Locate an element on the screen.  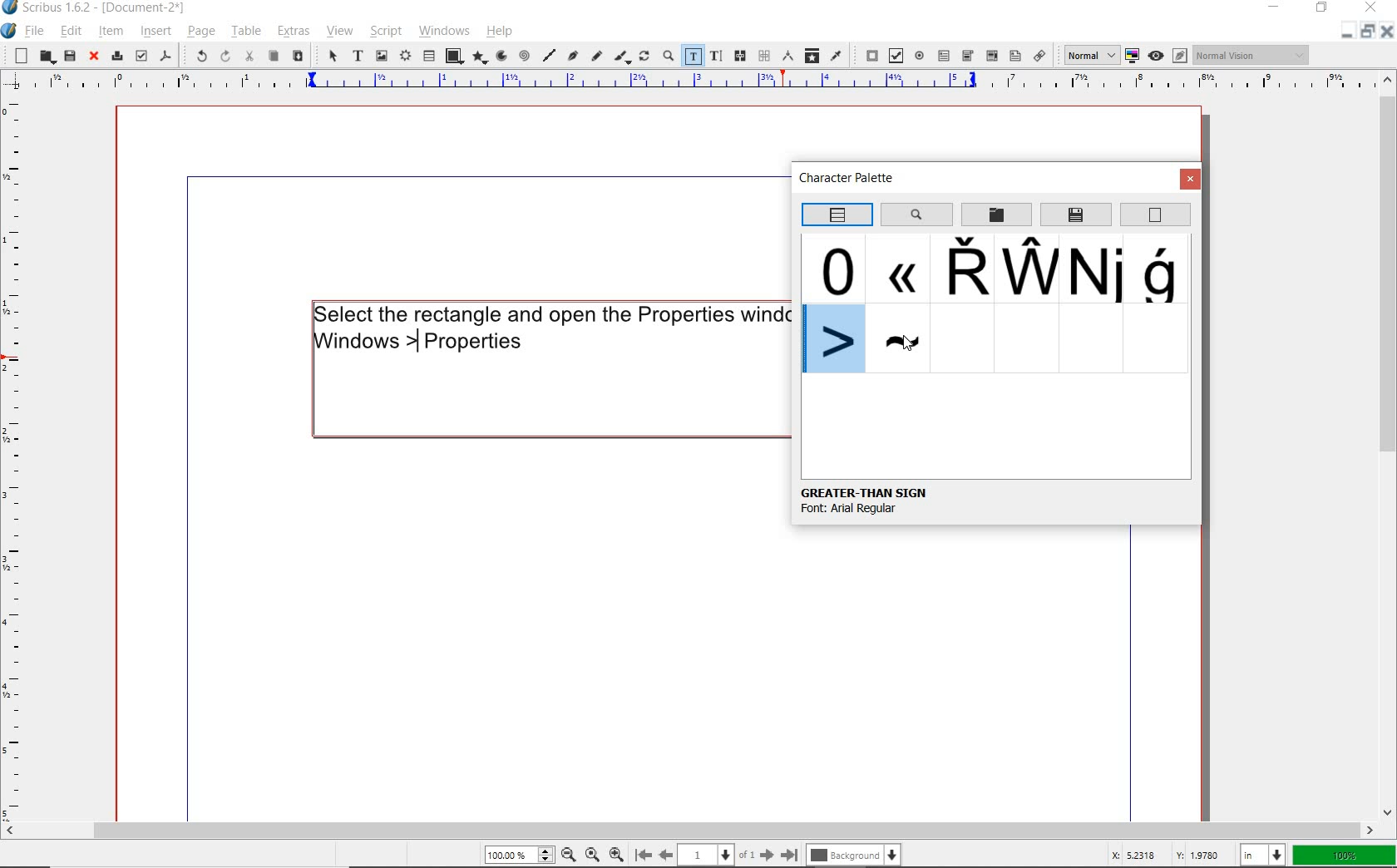
zoom out is located at coordinates (568, 854).